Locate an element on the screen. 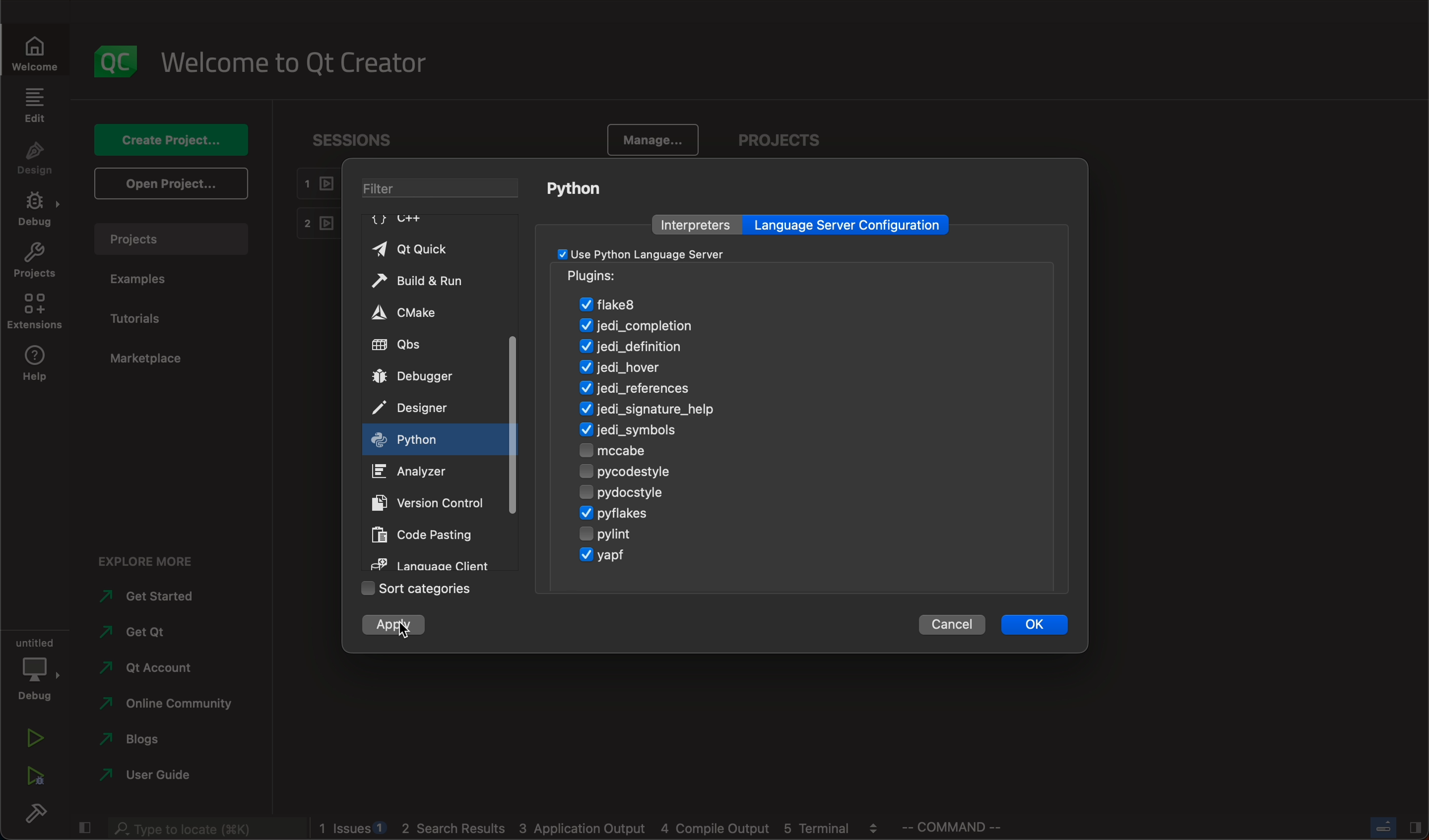 The image size is (1429, 840). logs is located at coordinates (599, 828).